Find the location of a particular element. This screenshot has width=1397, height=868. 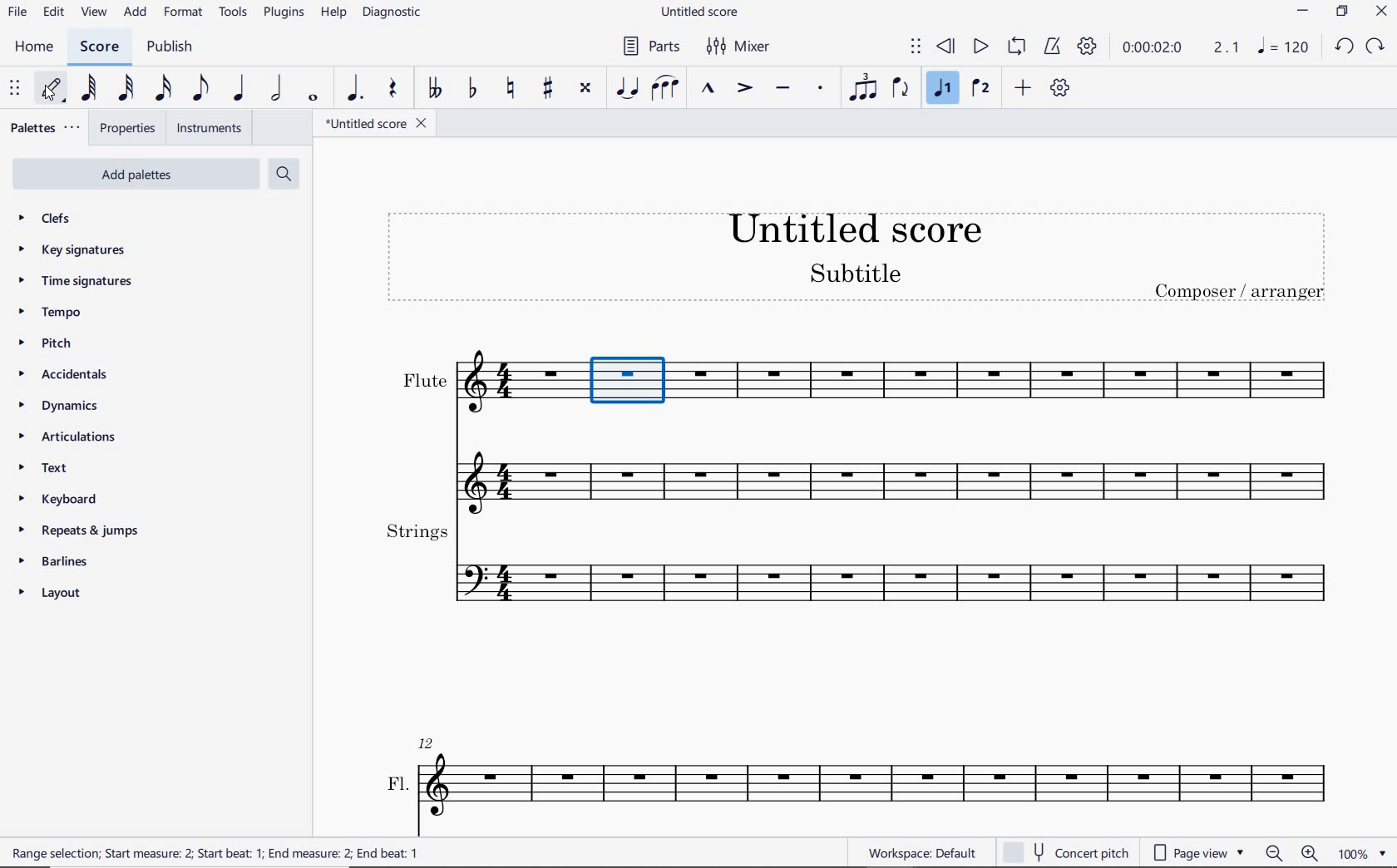

FORMAT is located at coordinates (185, 11).